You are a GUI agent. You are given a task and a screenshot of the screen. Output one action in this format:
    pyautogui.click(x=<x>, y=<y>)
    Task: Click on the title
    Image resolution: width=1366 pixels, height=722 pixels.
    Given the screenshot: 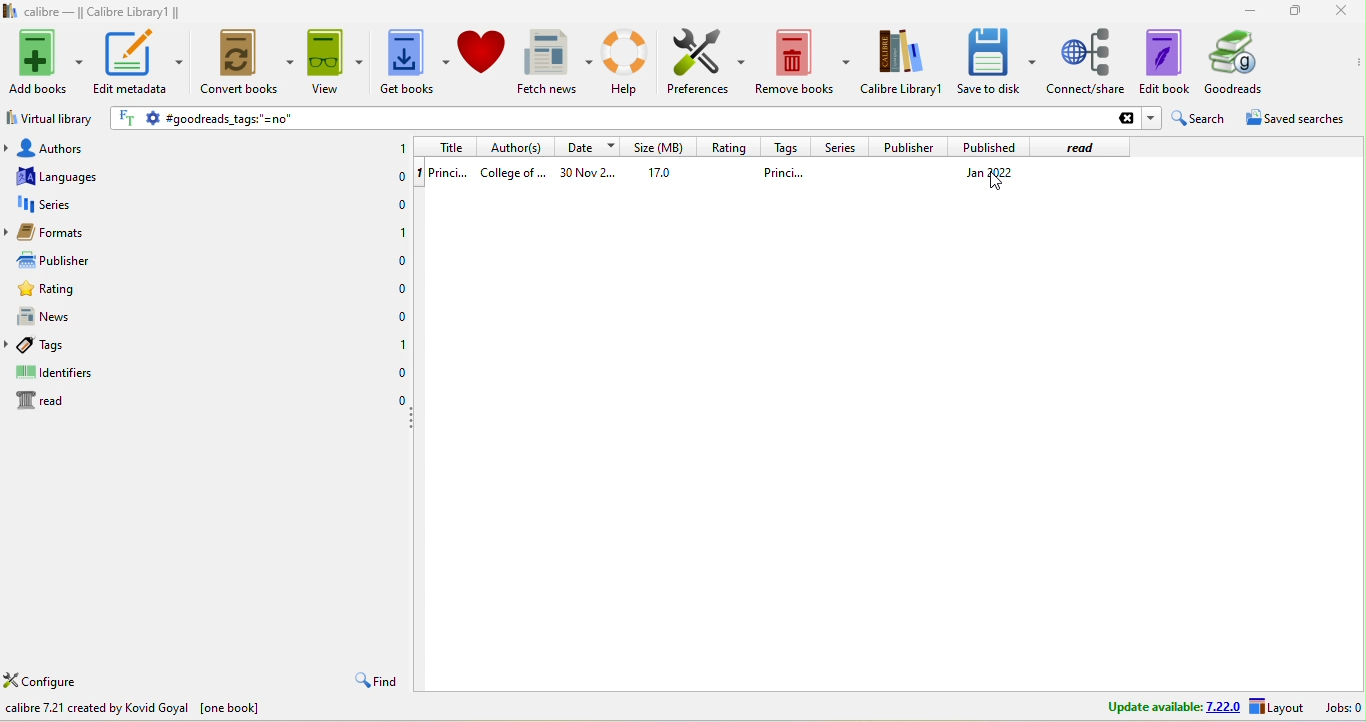 What is the action you would take?
    pyautogui.click(x=444, y=147)
    